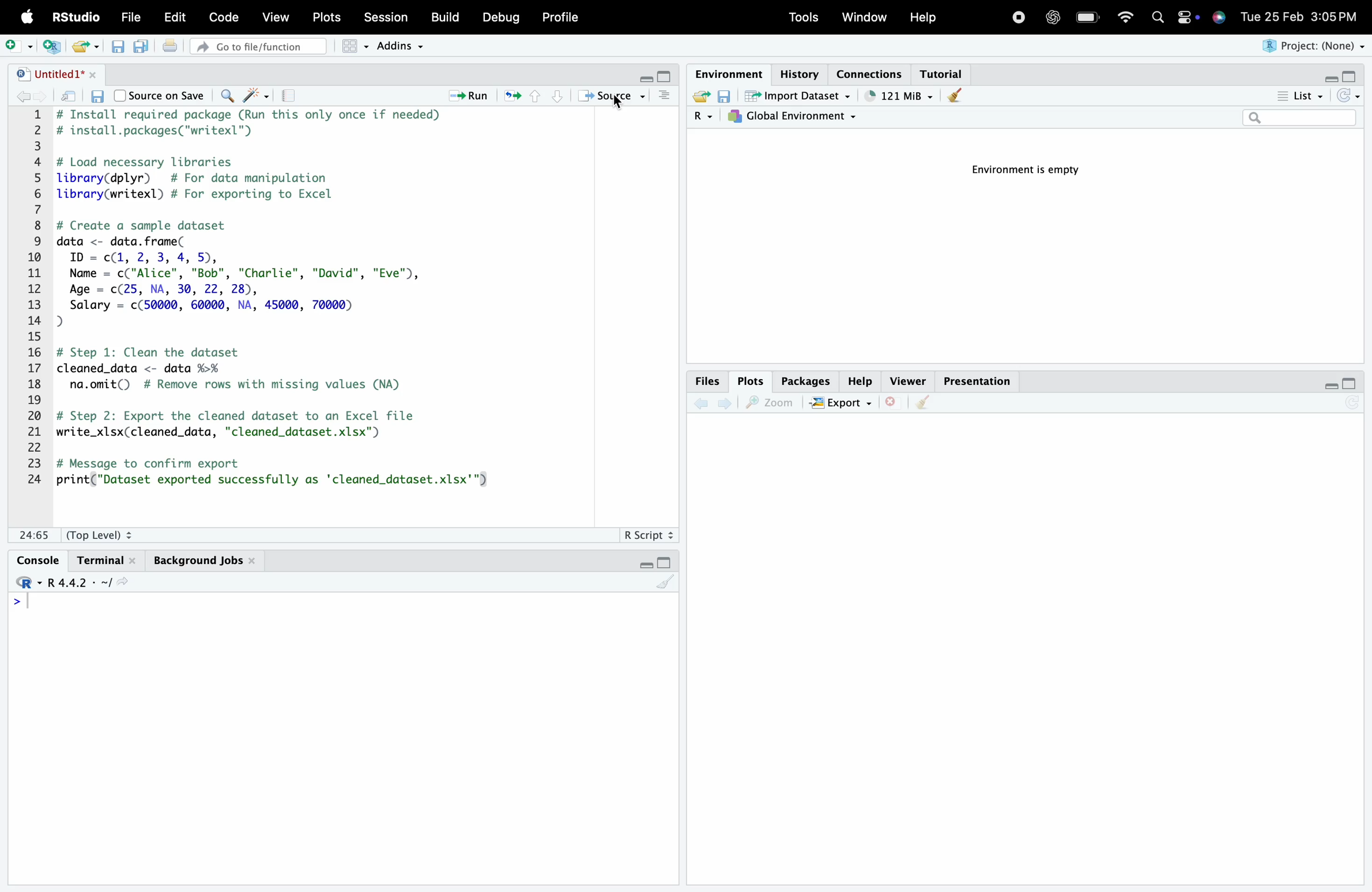  Describe the element at coordinates (54, 72) in the screenshot. I see `Untitled1` at that location.